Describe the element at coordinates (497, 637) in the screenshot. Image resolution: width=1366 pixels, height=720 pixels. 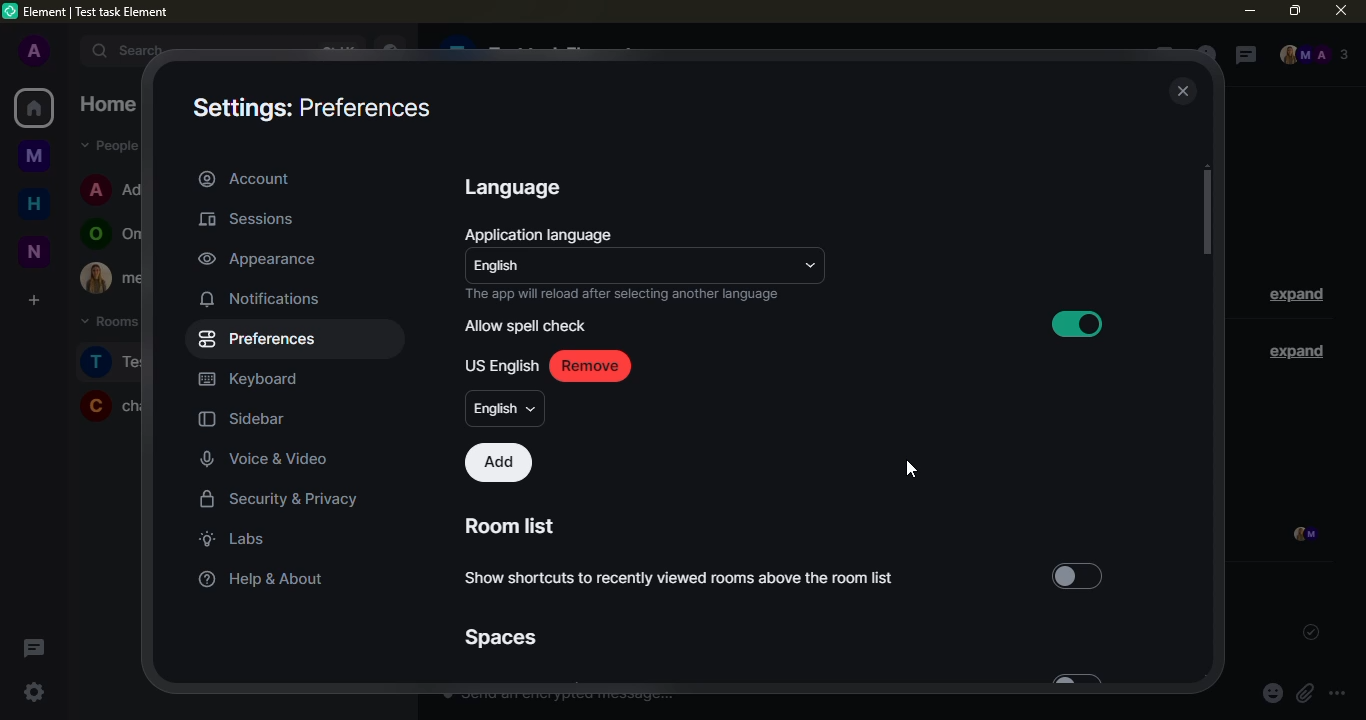
I see `spaces` at that location.